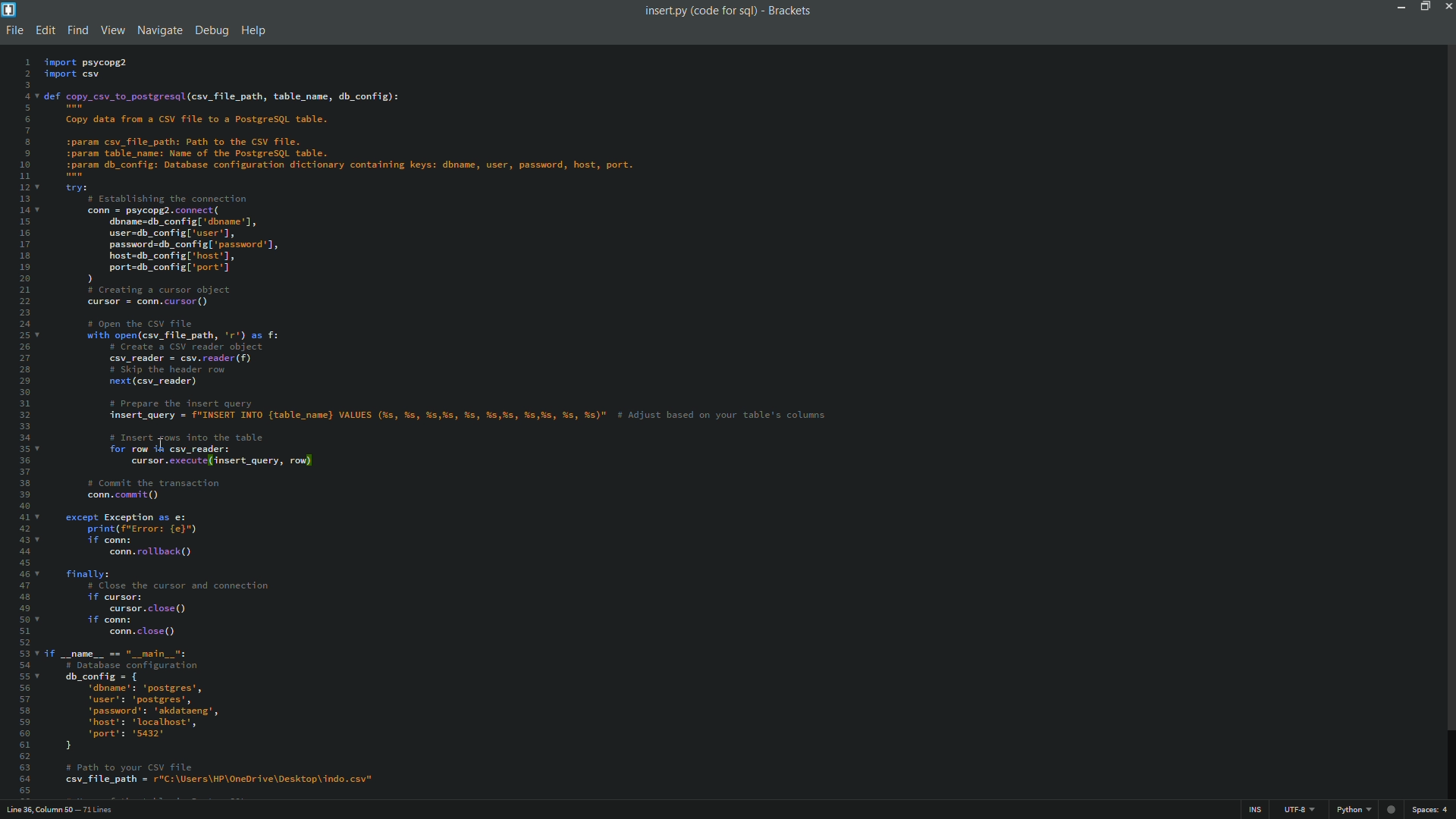  What do you see at coordinates (9, 9) in the screenshot?
I see `app icon` at bounding box center [9, 9].